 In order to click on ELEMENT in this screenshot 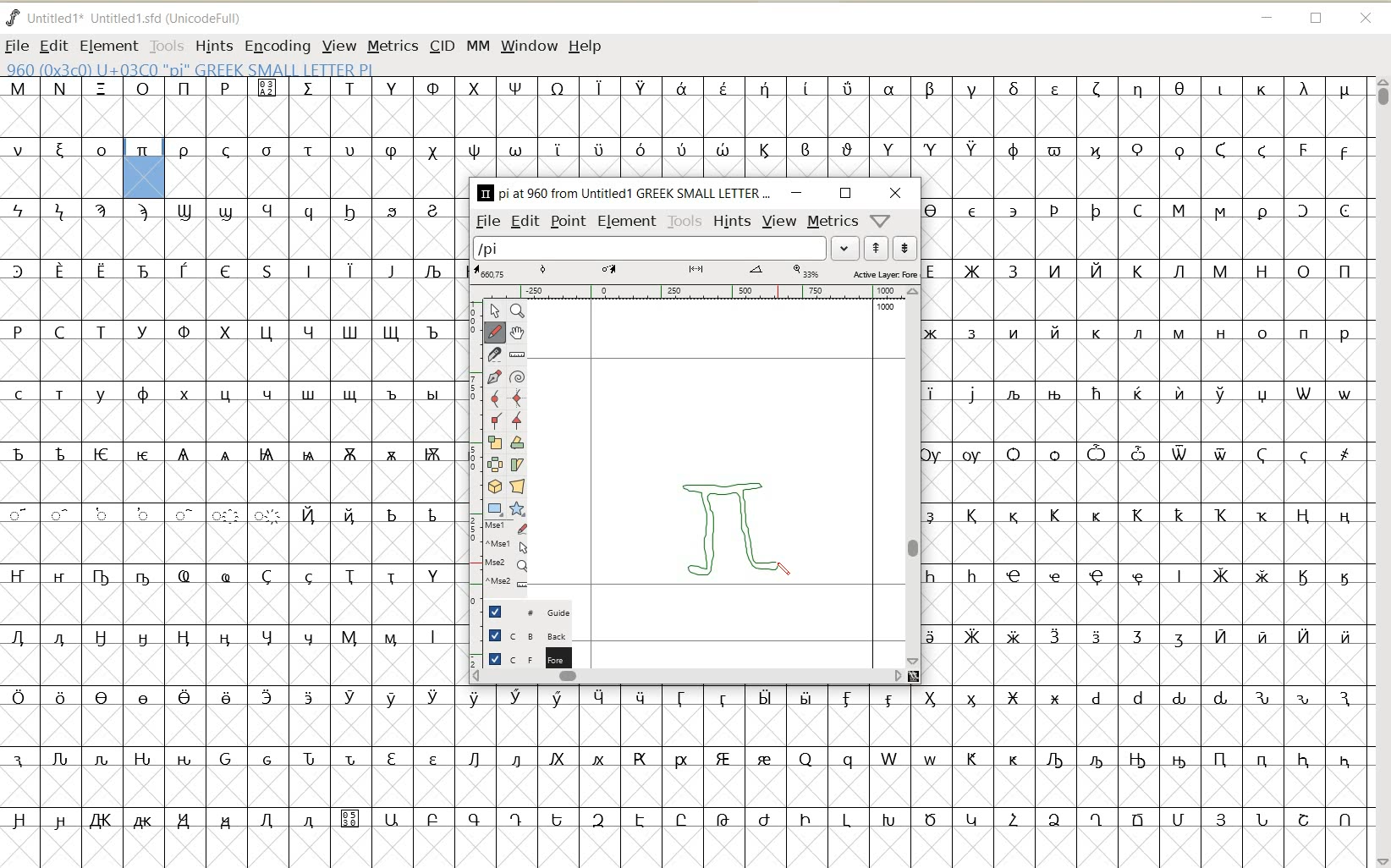, I will do `click(627, 222)`.